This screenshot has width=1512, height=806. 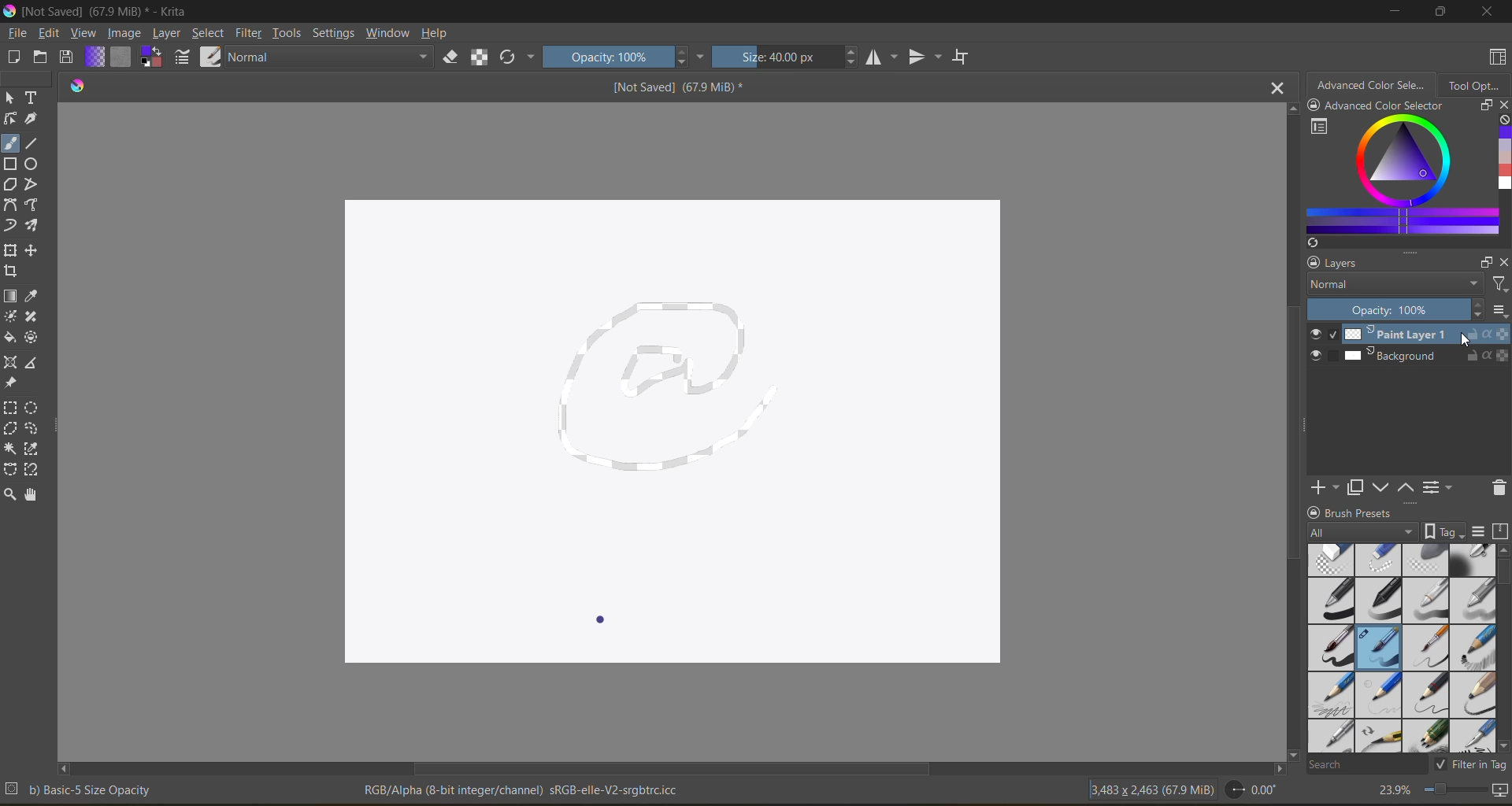 What do you see at coordinates (10, 142) in the screenshot?
I see `free hand brush tool` at bounding box center [10, 142].